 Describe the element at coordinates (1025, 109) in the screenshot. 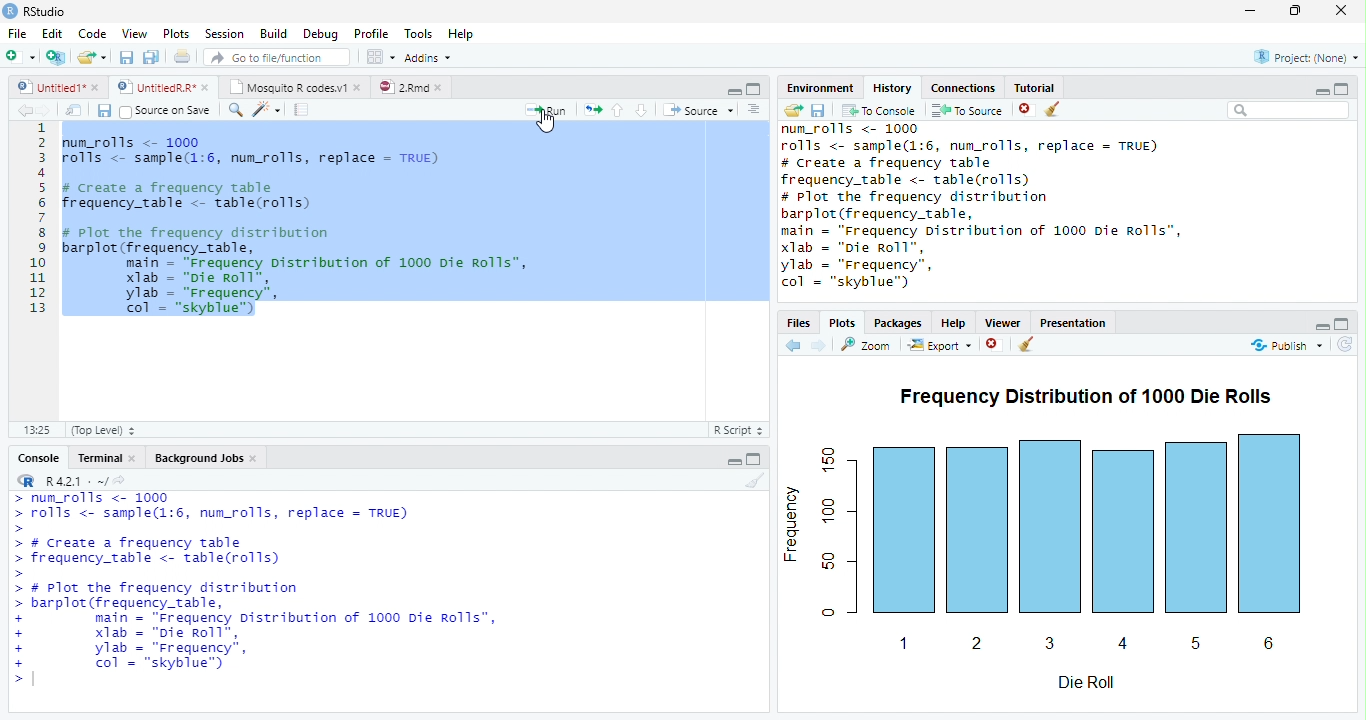

I see `Remove selected history` at that location.